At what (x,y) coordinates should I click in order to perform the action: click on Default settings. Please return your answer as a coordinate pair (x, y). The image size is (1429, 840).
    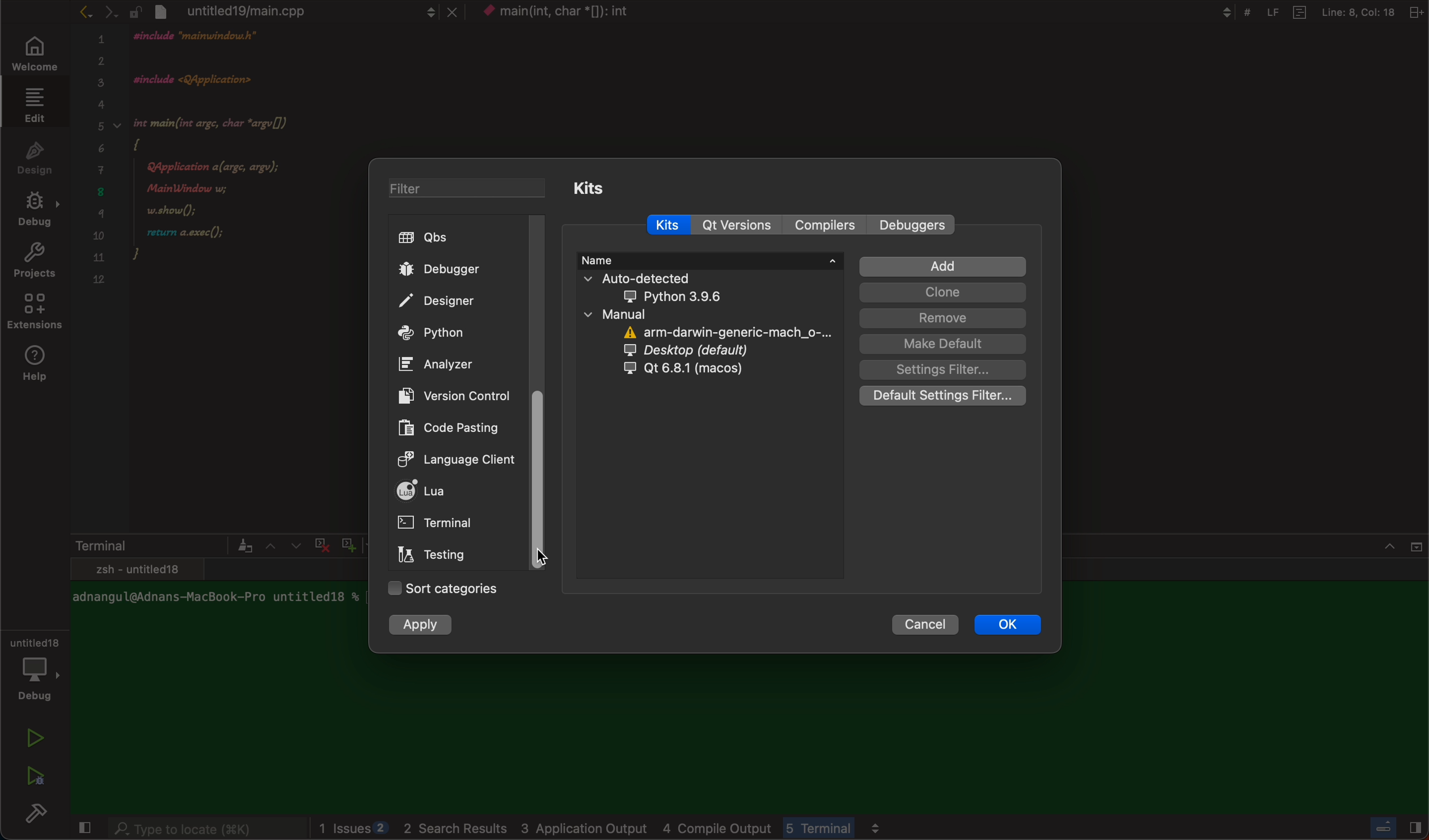
    Looking at the image, I should click on (945, 396).